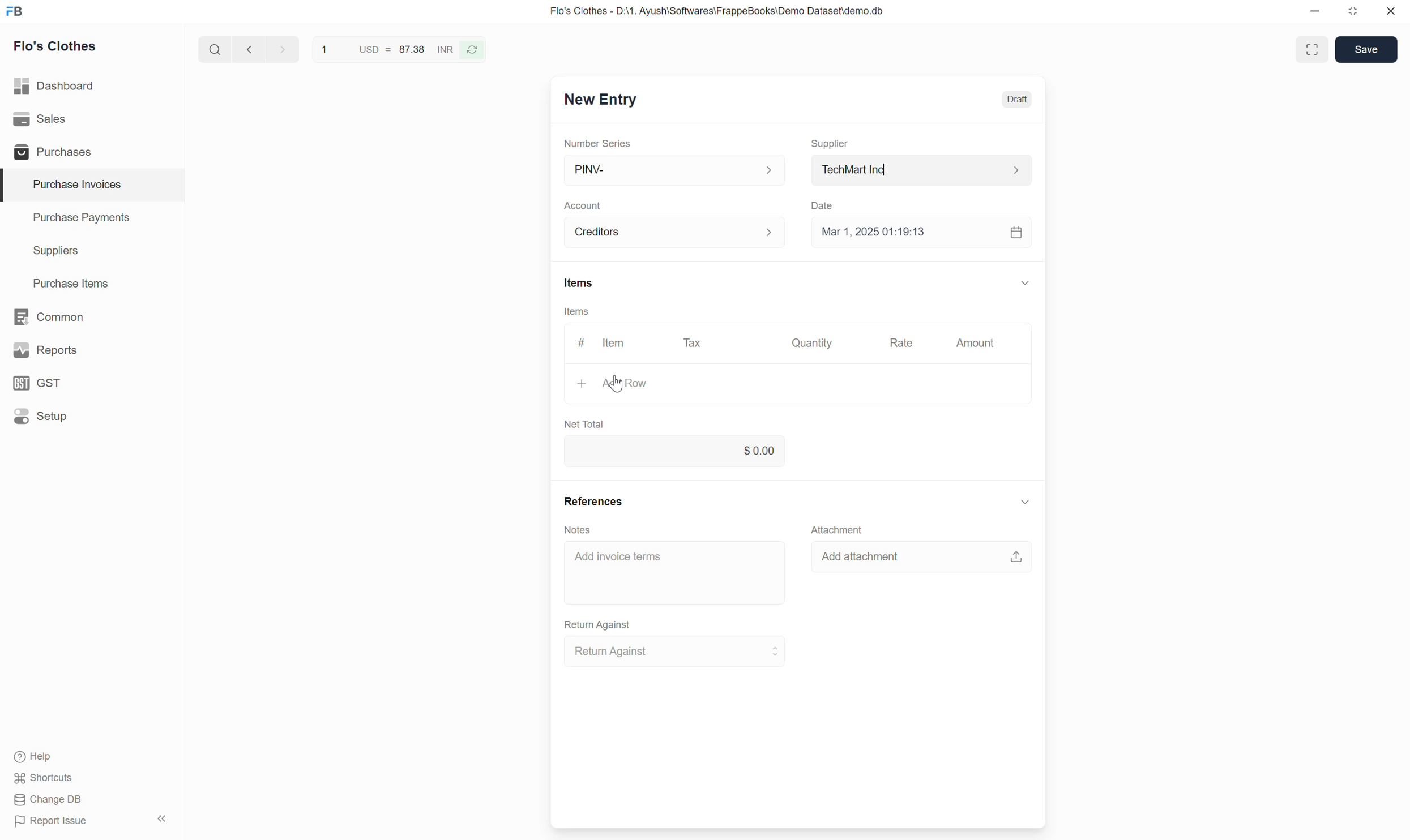 The height and width of the screenshot is (840, 1410). Describe the element at coordinates (918, 233) in the screenshot. I see `Mar 1, 2025 01:19:13 ` at that location.